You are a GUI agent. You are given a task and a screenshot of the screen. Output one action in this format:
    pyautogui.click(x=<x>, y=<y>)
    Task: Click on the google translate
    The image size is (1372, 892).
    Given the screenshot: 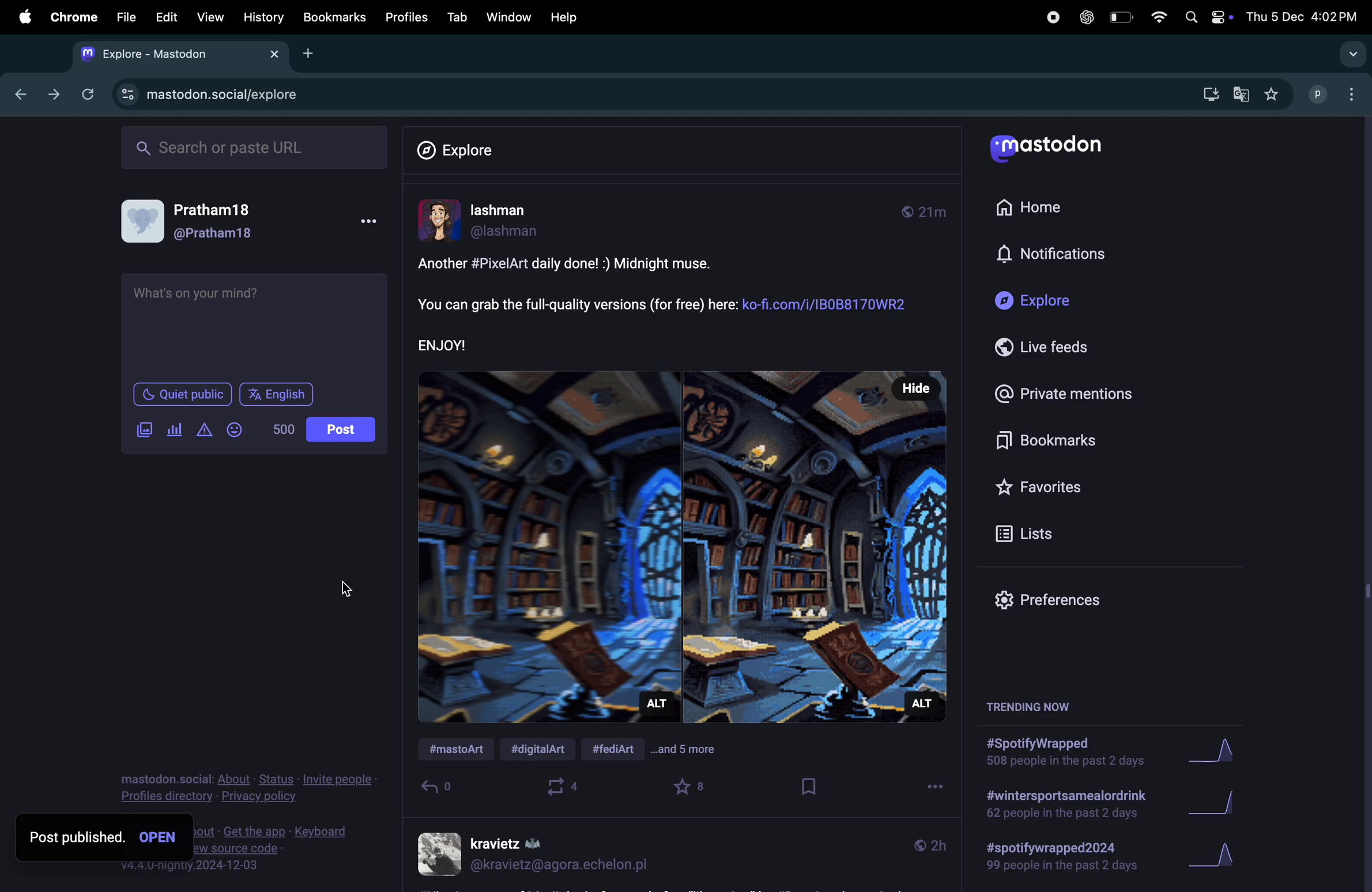 What is the action you would take?
    pyautogui.click(x=1240, y=95)
    